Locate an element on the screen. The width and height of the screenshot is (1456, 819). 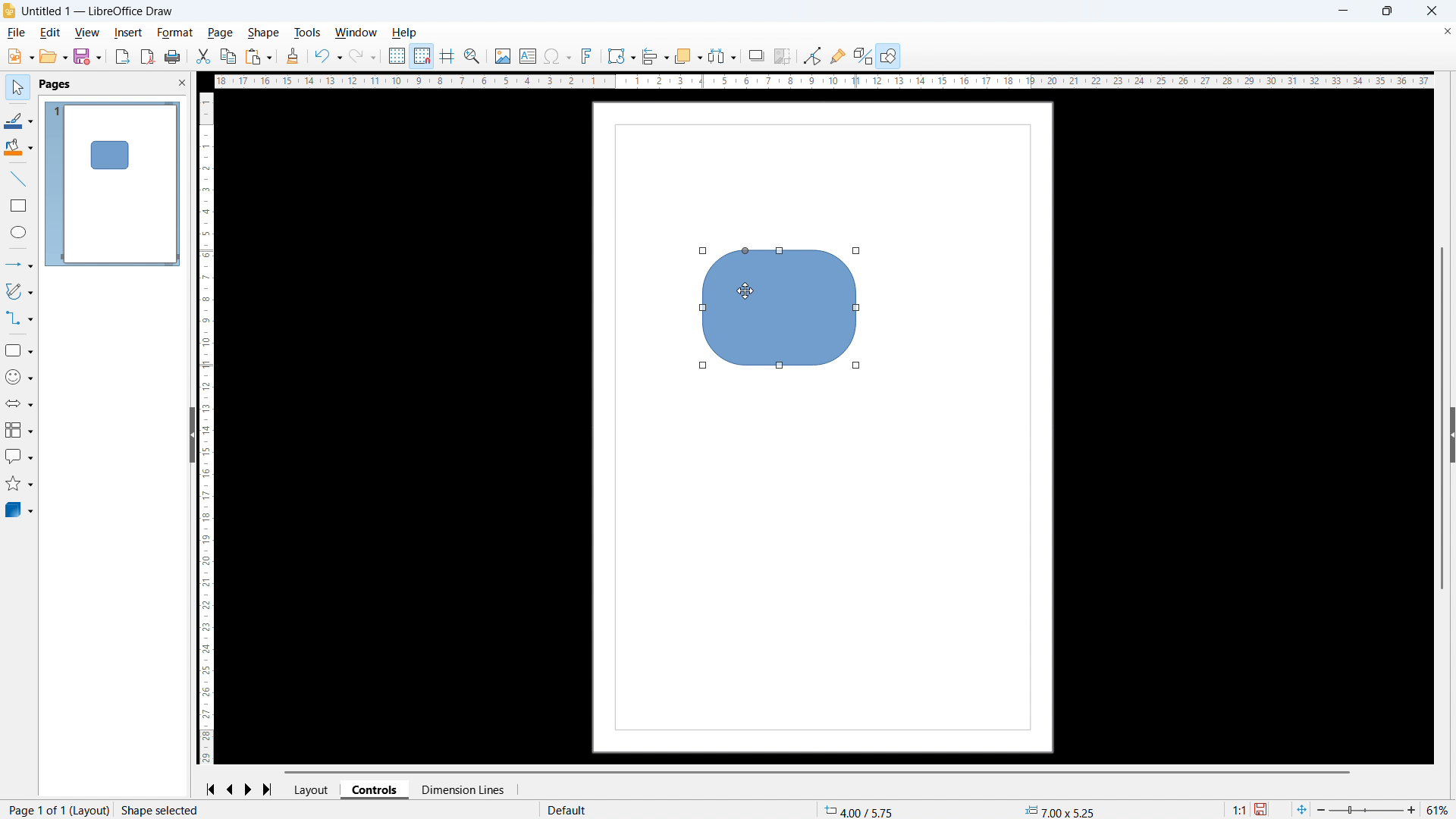
Lines and arrows  is located at coordinates (20, 264).